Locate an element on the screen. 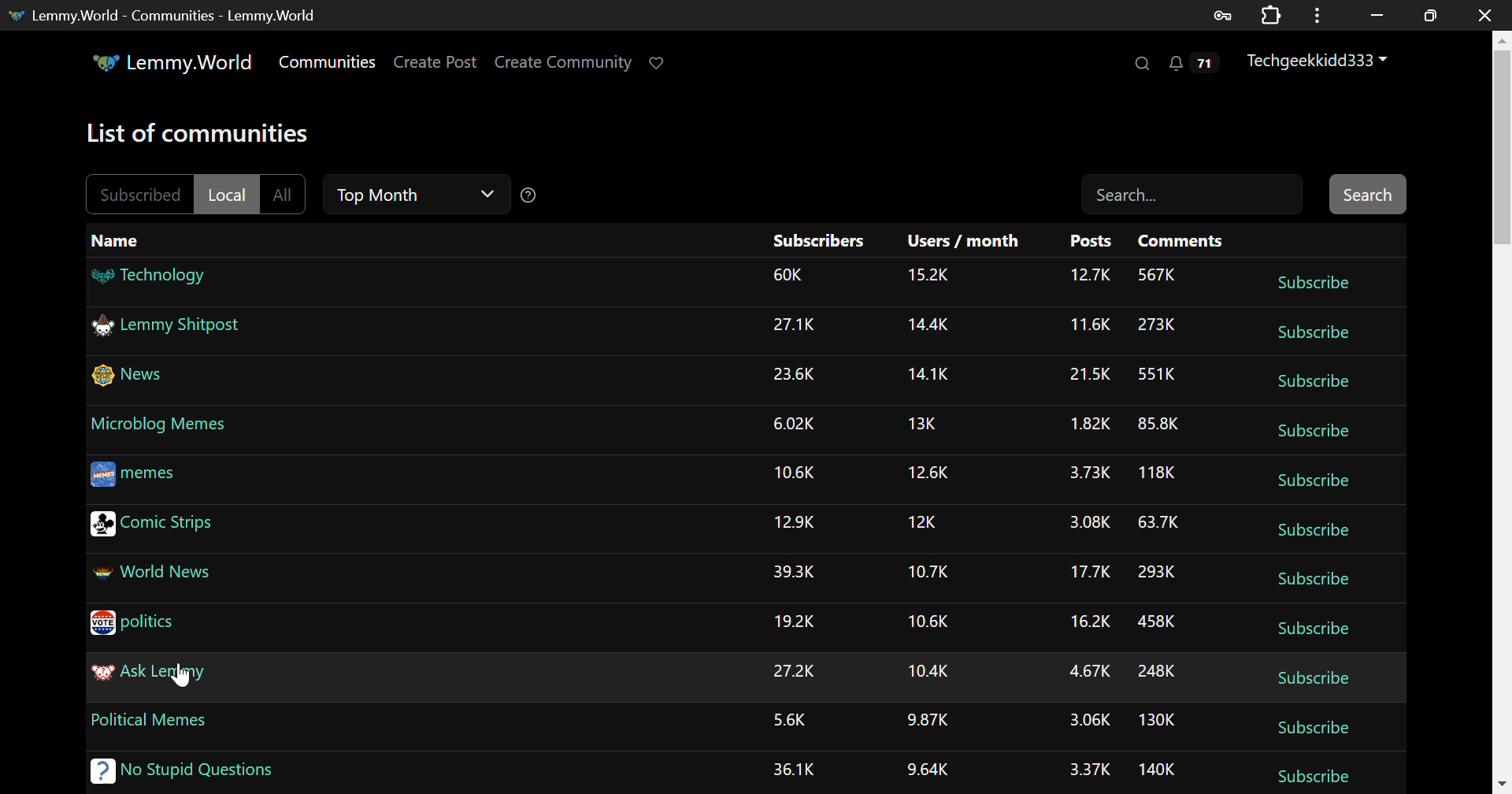 This screenshot has width=1512, height=794. Subscribe is located at coordinates (1314, 381).